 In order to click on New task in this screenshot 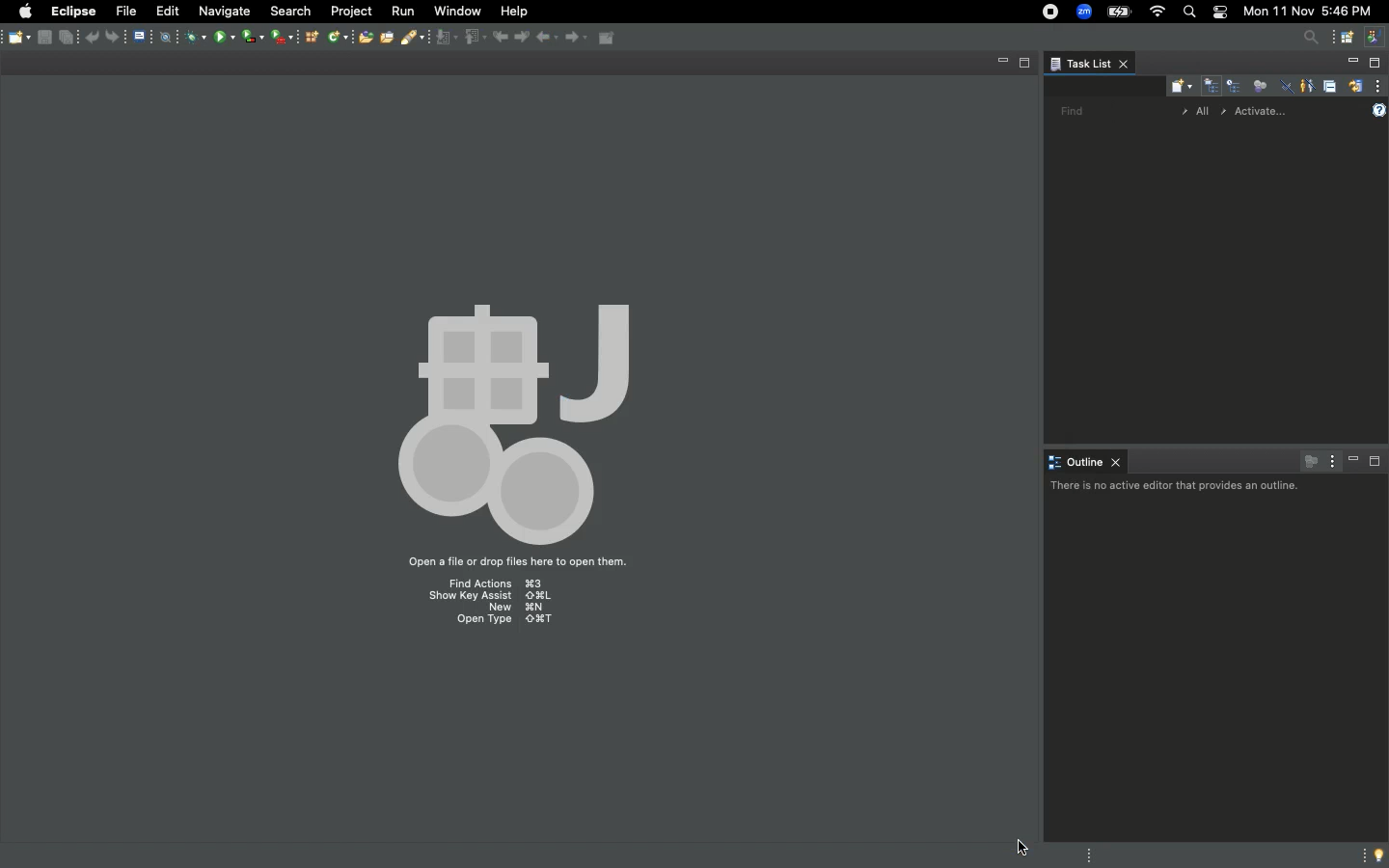, I will do `click(1178, 85)`.